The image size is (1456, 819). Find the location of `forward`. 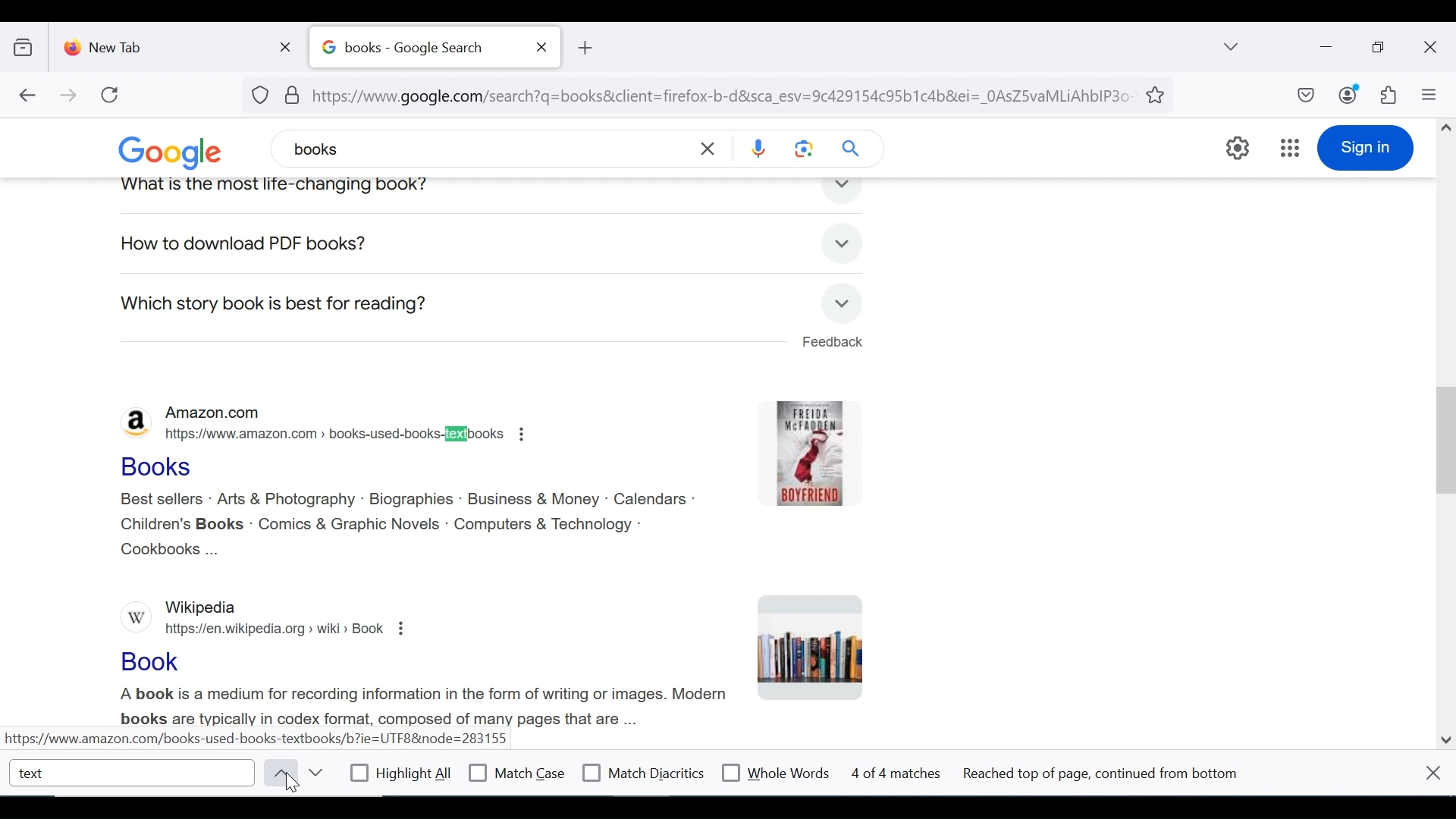

forward is located at coordinates (69, 96).